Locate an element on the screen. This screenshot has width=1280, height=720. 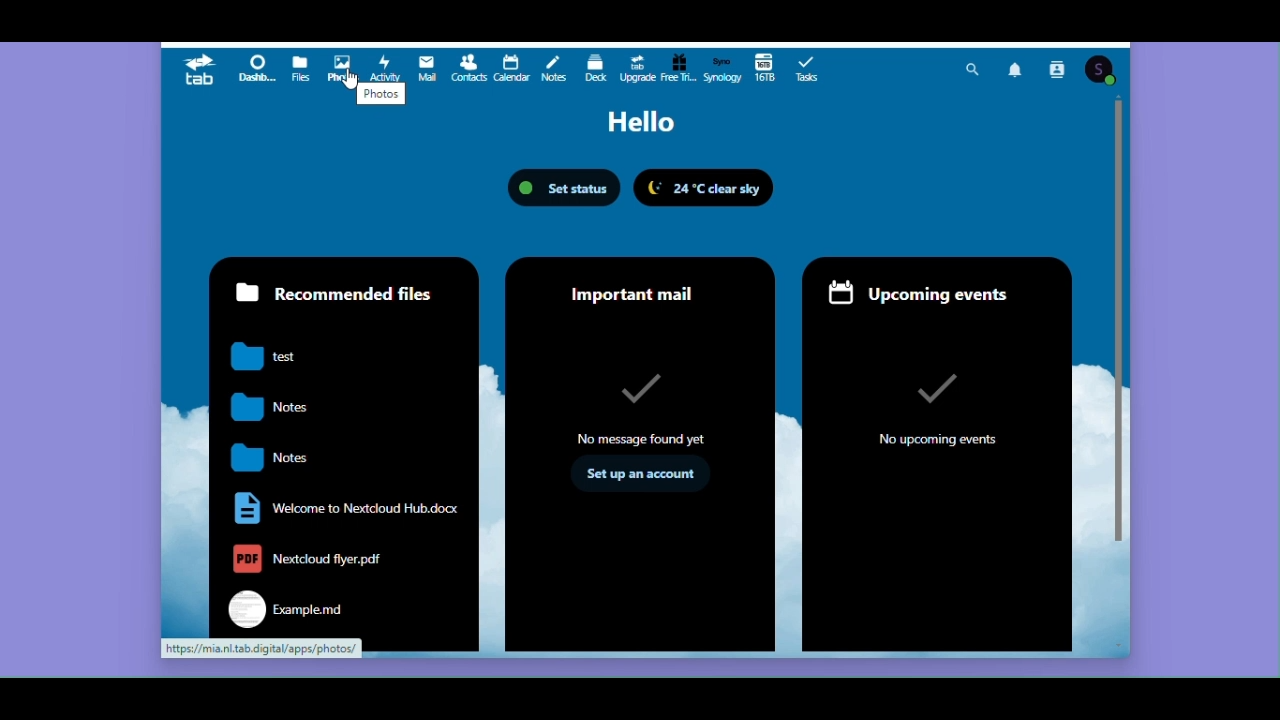
16 terabyte is located at coordinates (763, 66).